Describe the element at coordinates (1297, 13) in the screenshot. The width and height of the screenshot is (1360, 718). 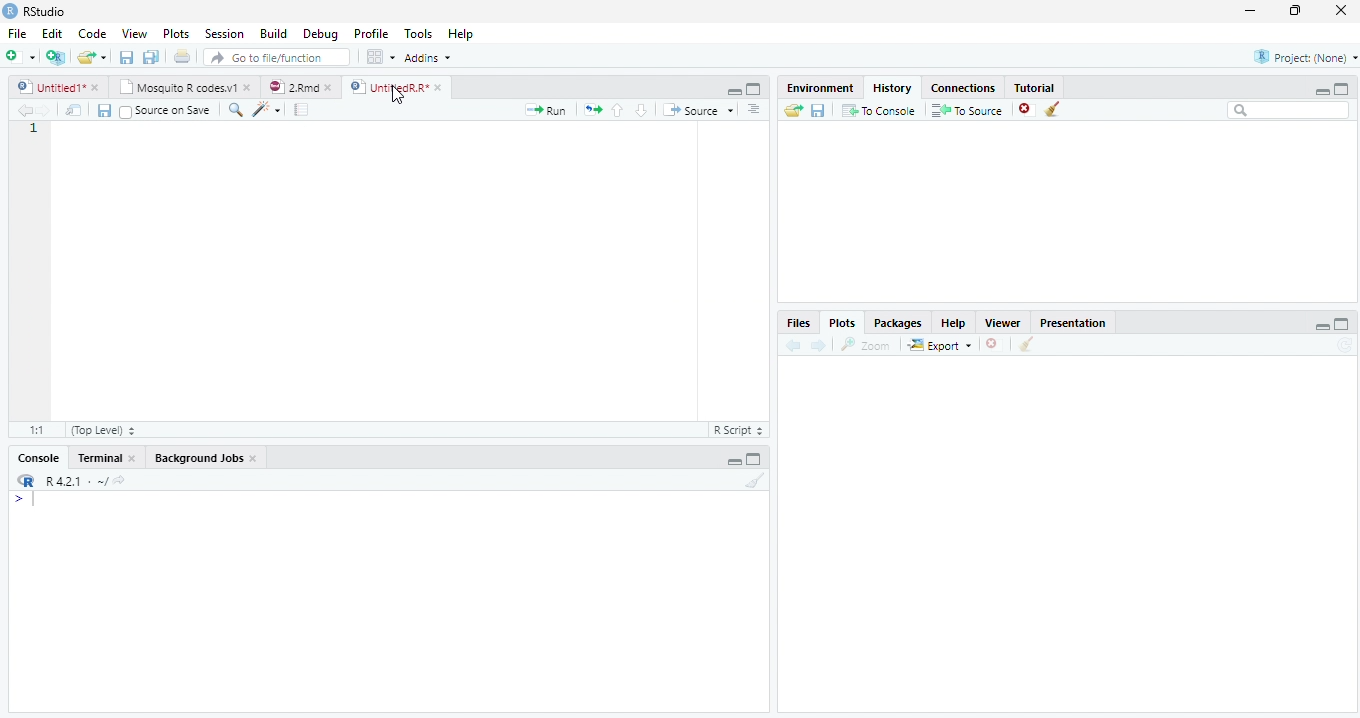
I see `Maximize` at that location.